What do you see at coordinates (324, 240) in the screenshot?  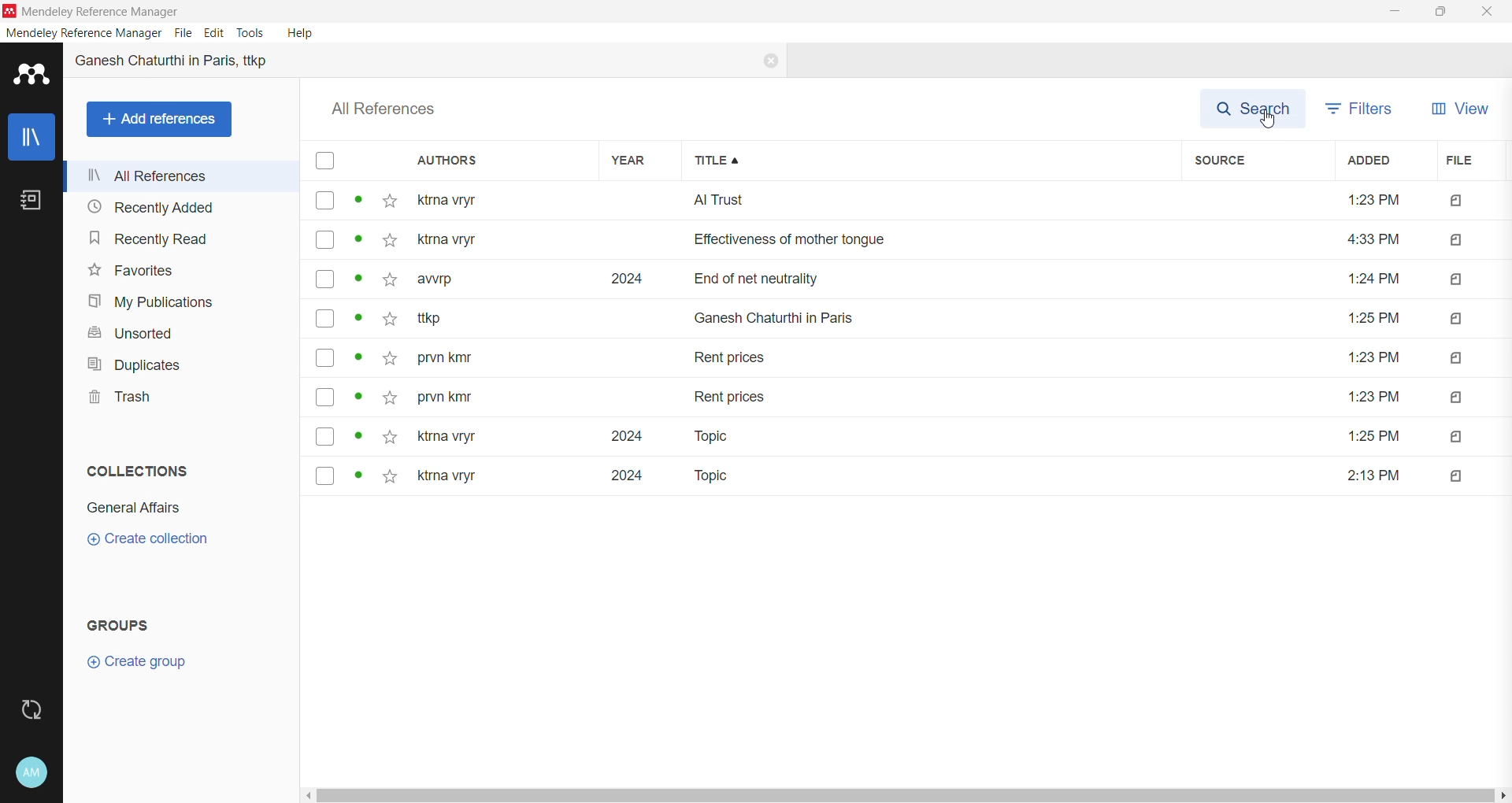 I see `select reference ` at bounding box center [324, 240].